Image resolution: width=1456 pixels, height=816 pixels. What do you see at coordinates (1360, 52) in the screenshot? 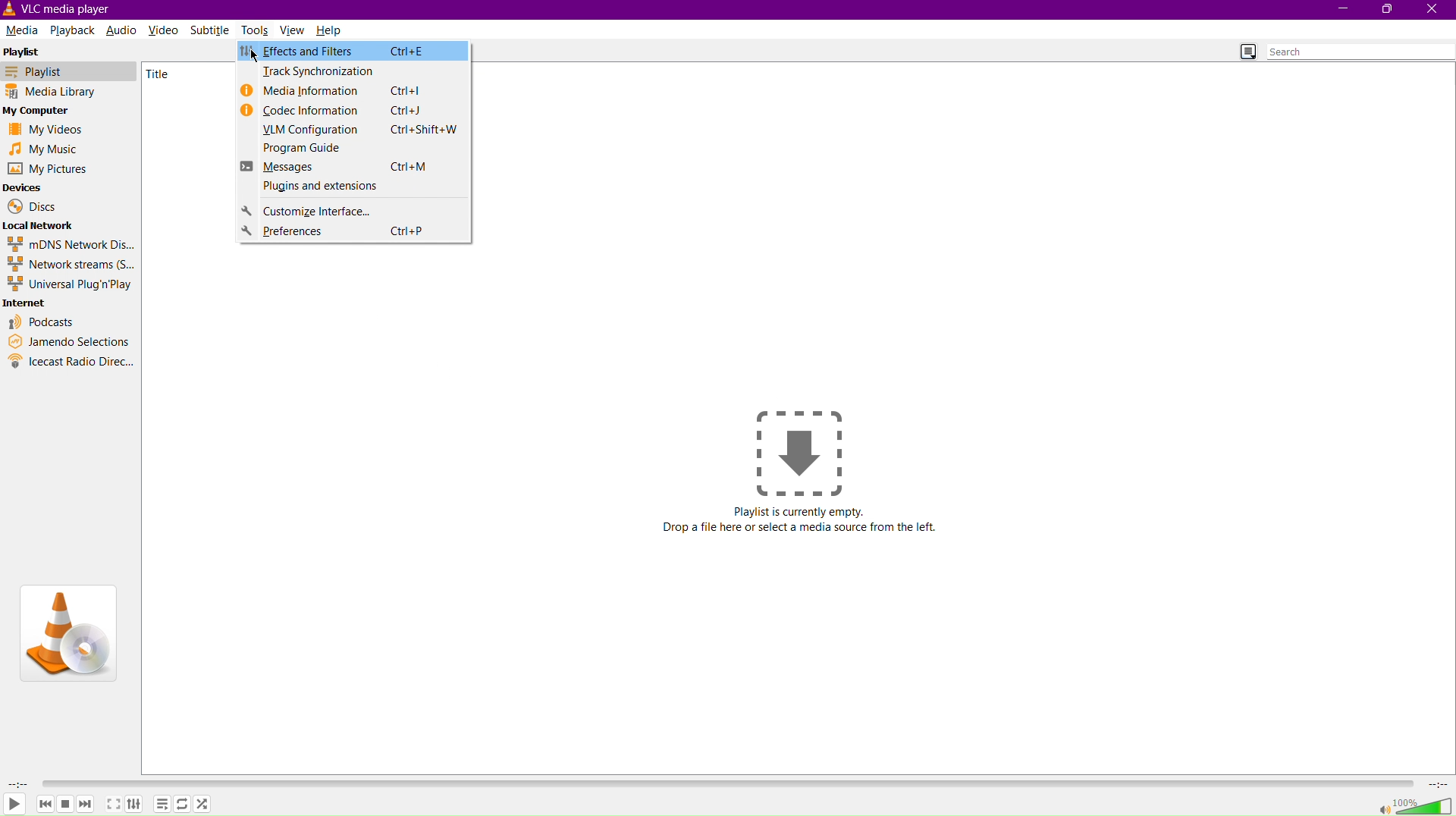
I see `Search bar` at bounding box center [1360, 52].